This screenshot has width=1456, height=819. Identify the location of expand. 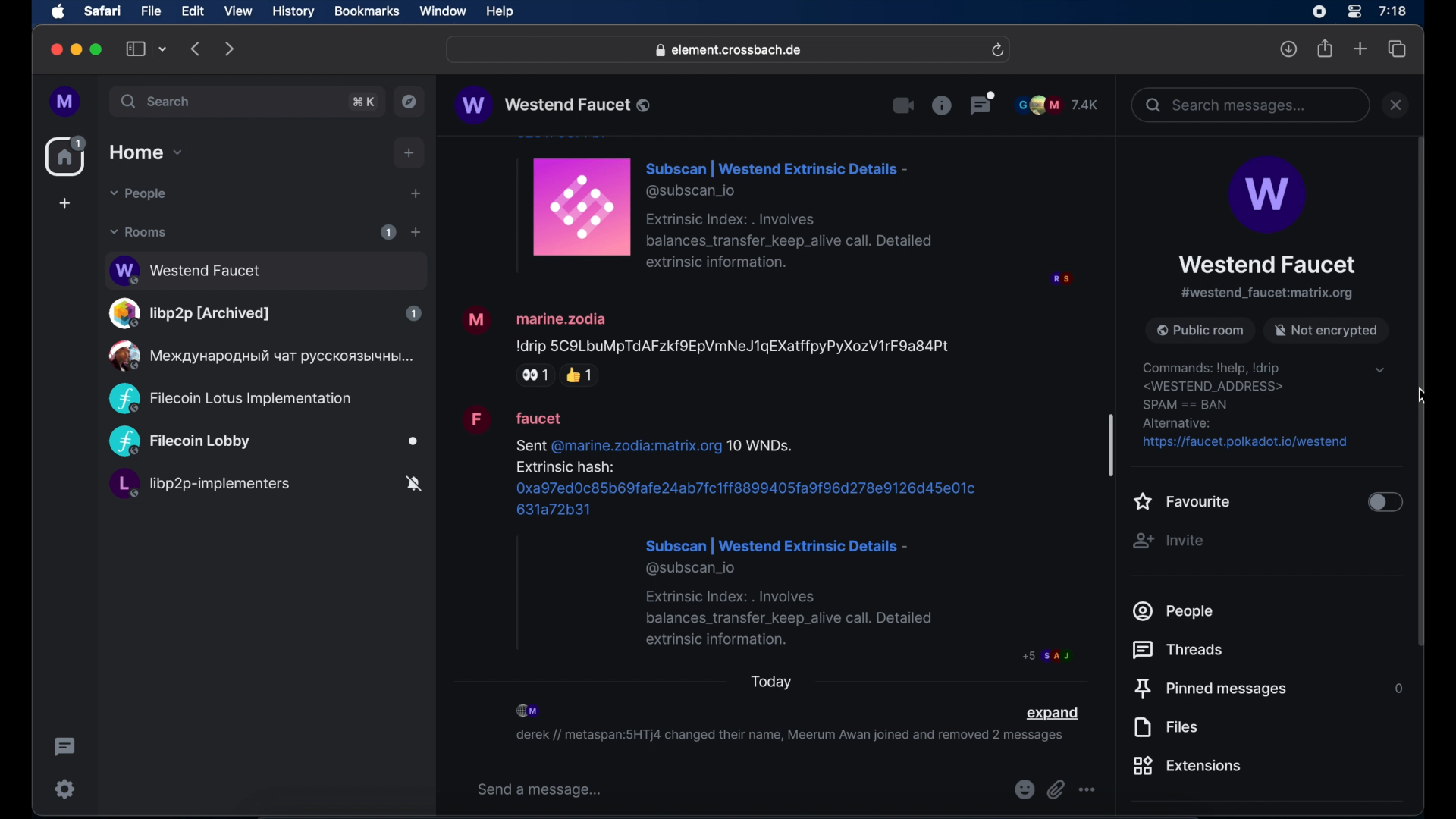
(1052, 714).